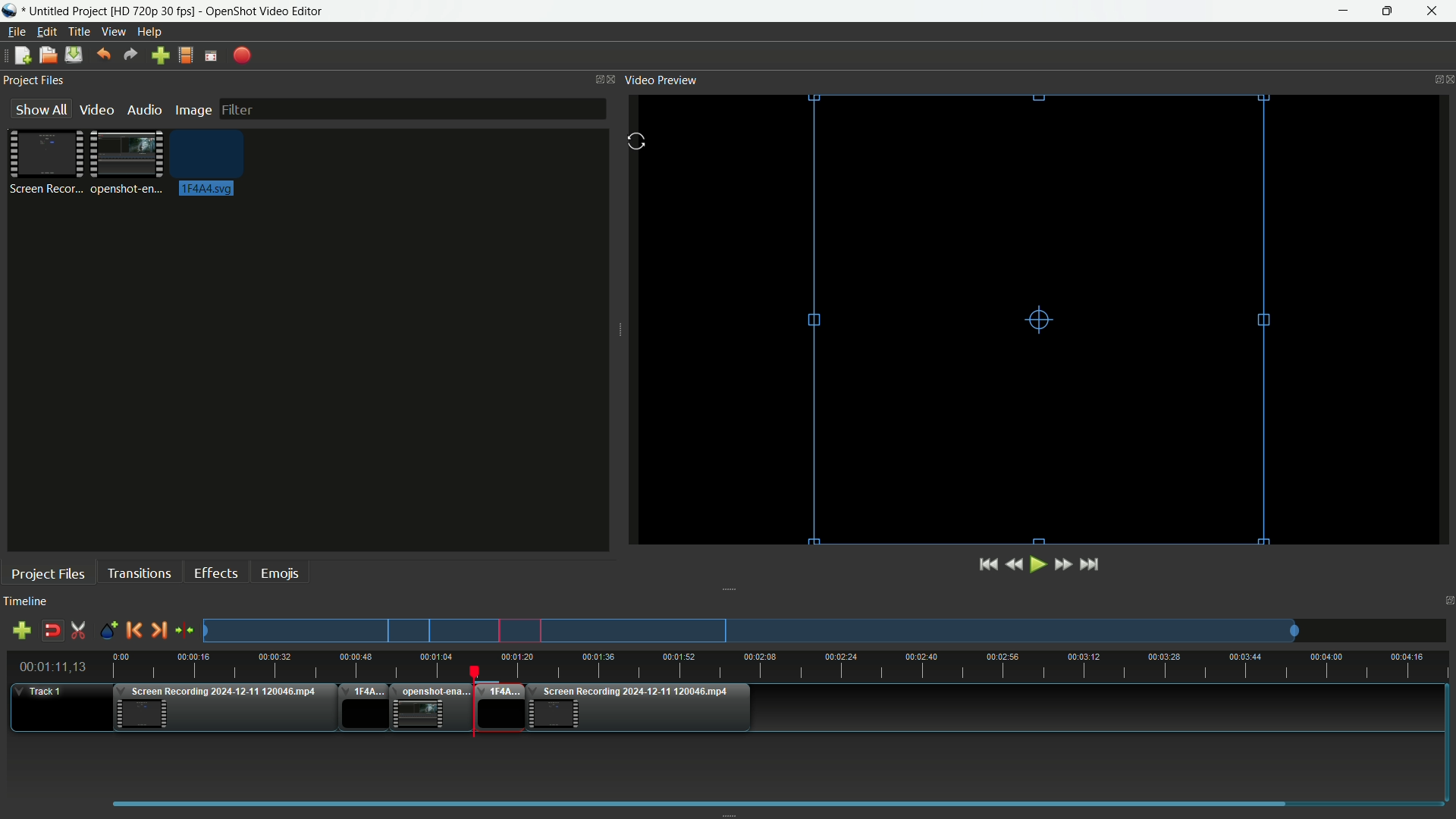  What do you see at coordinates (986, 565) in the screenshot?
I see `Jump to start` at bounding box center [986, 565].